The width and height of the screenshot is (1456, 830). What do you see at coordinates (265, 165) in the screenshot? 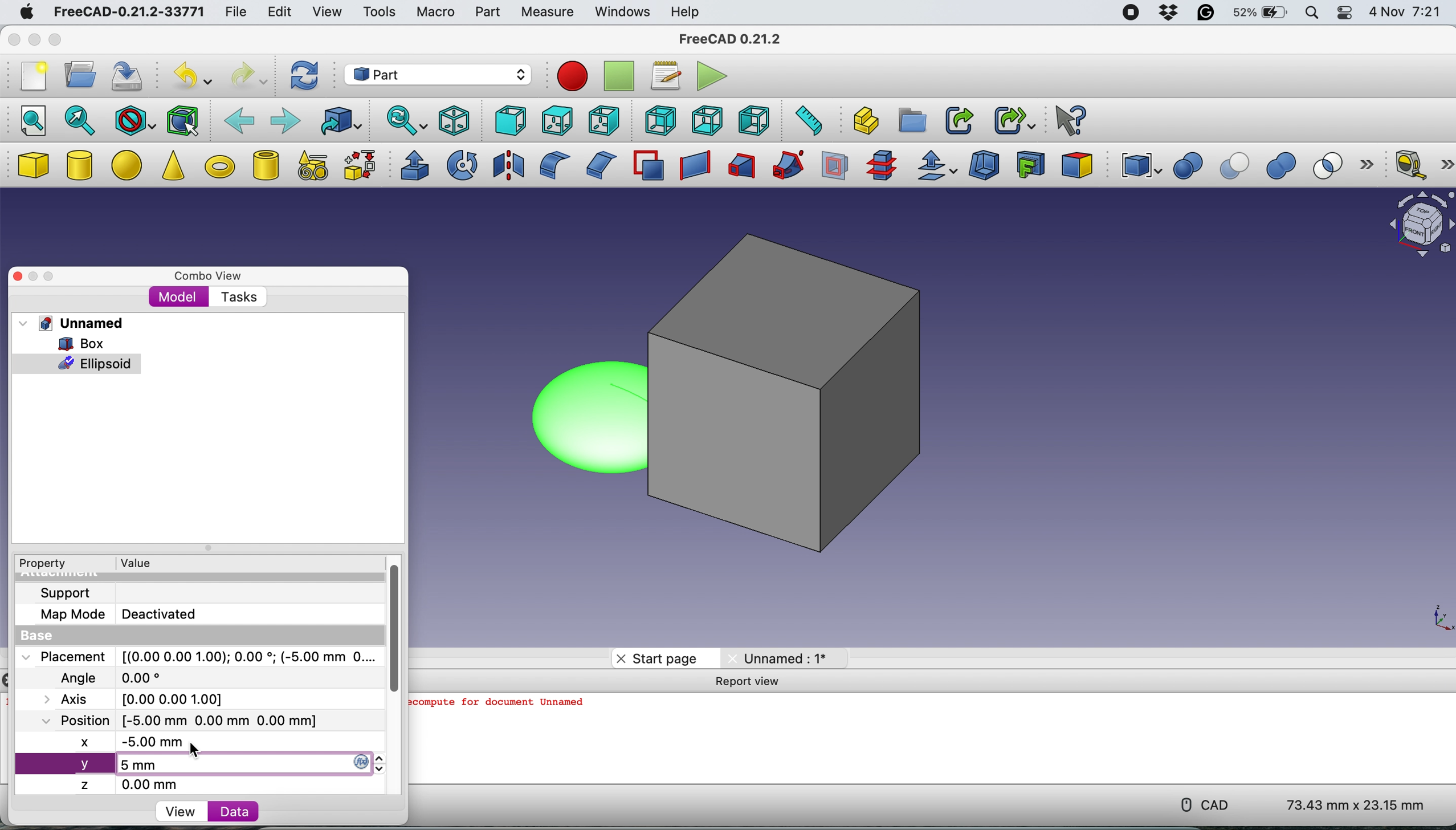
I see `create tube` at bounding box center [265, 165].